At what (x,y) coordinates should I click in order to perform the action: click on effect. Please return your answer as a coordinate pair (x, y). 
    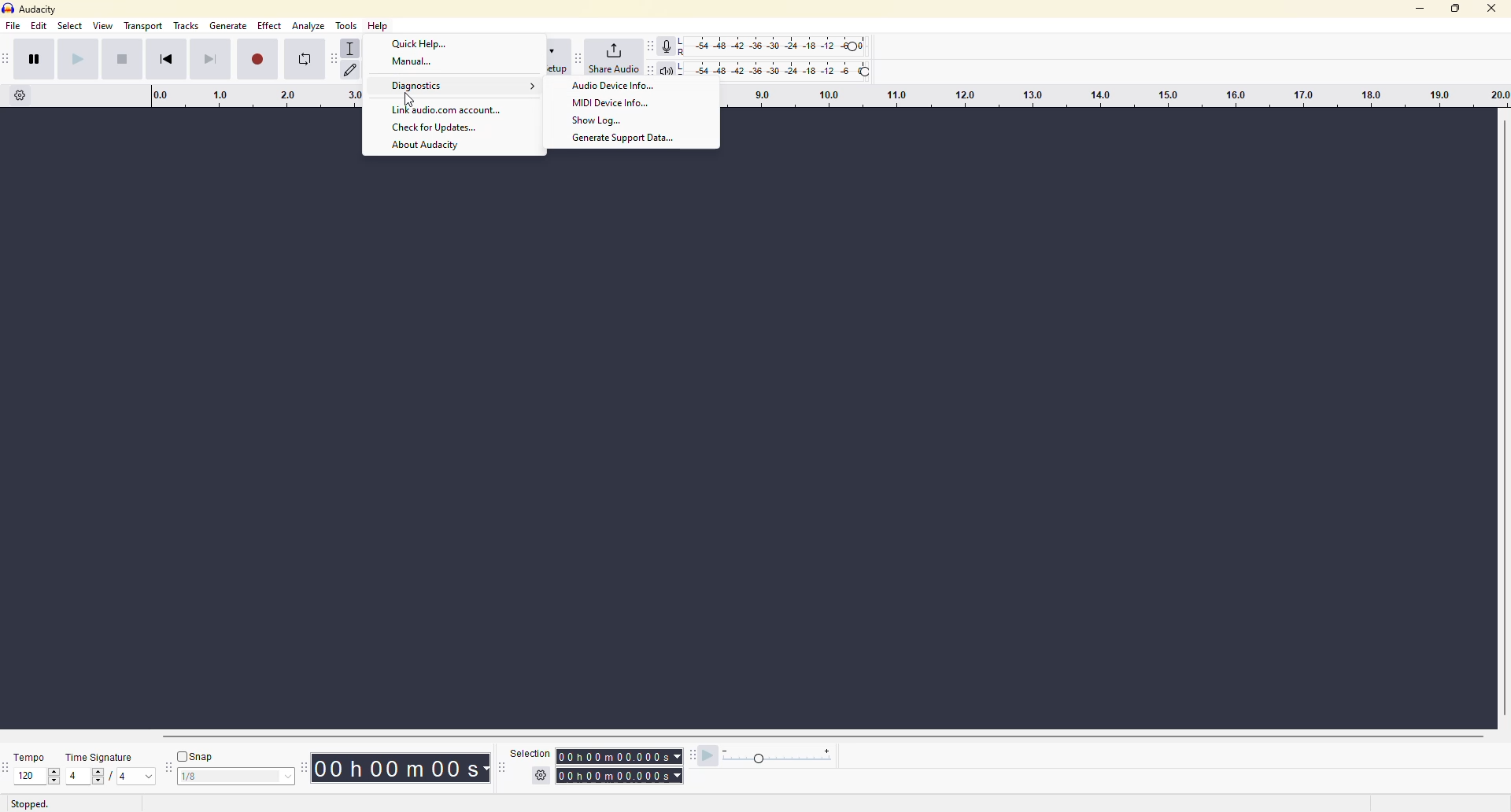
    Looking at the image, I should click on (269, 28).